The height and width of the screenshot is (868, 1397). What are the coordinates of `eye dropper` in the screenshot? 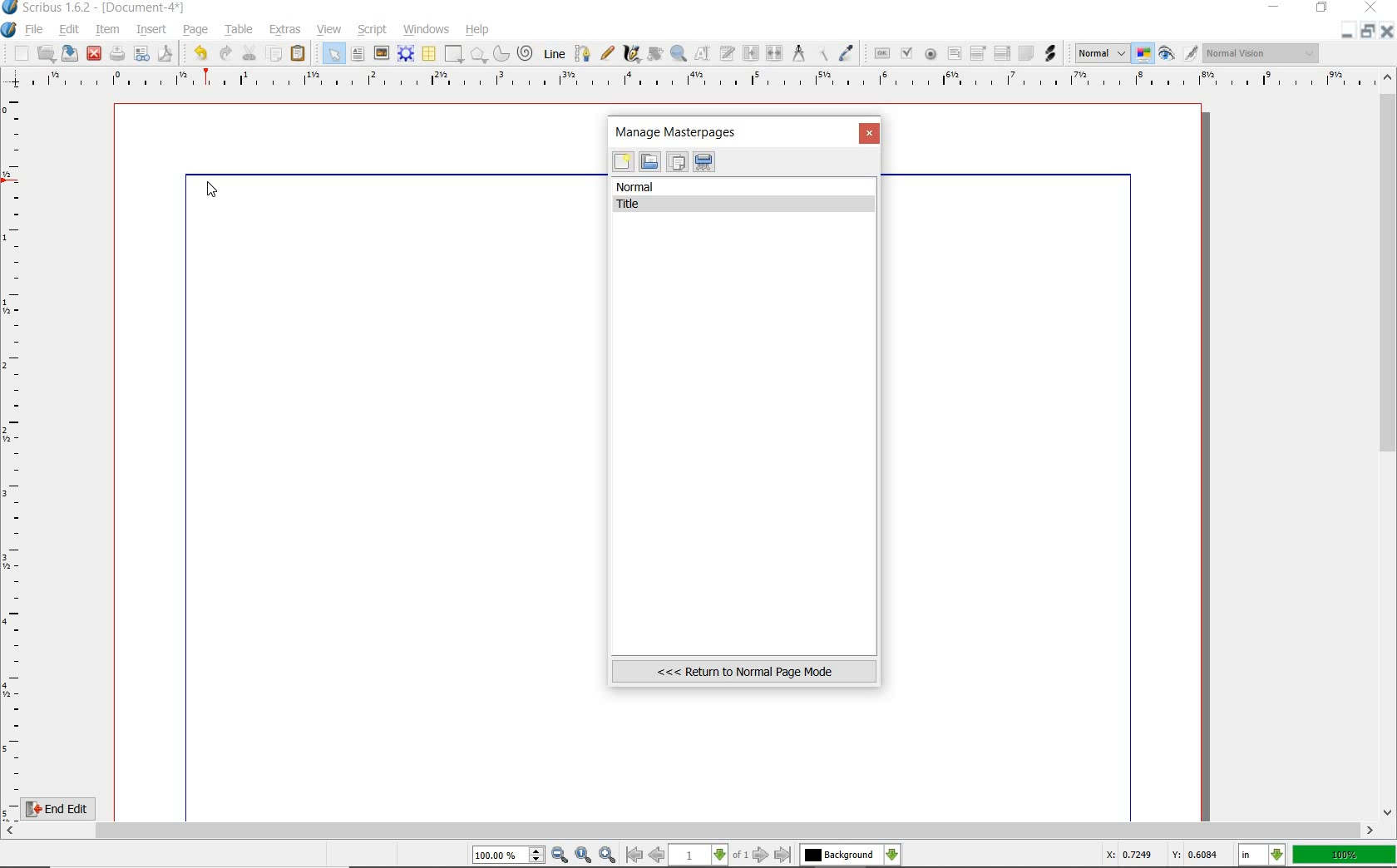 It's located at (847, 53).